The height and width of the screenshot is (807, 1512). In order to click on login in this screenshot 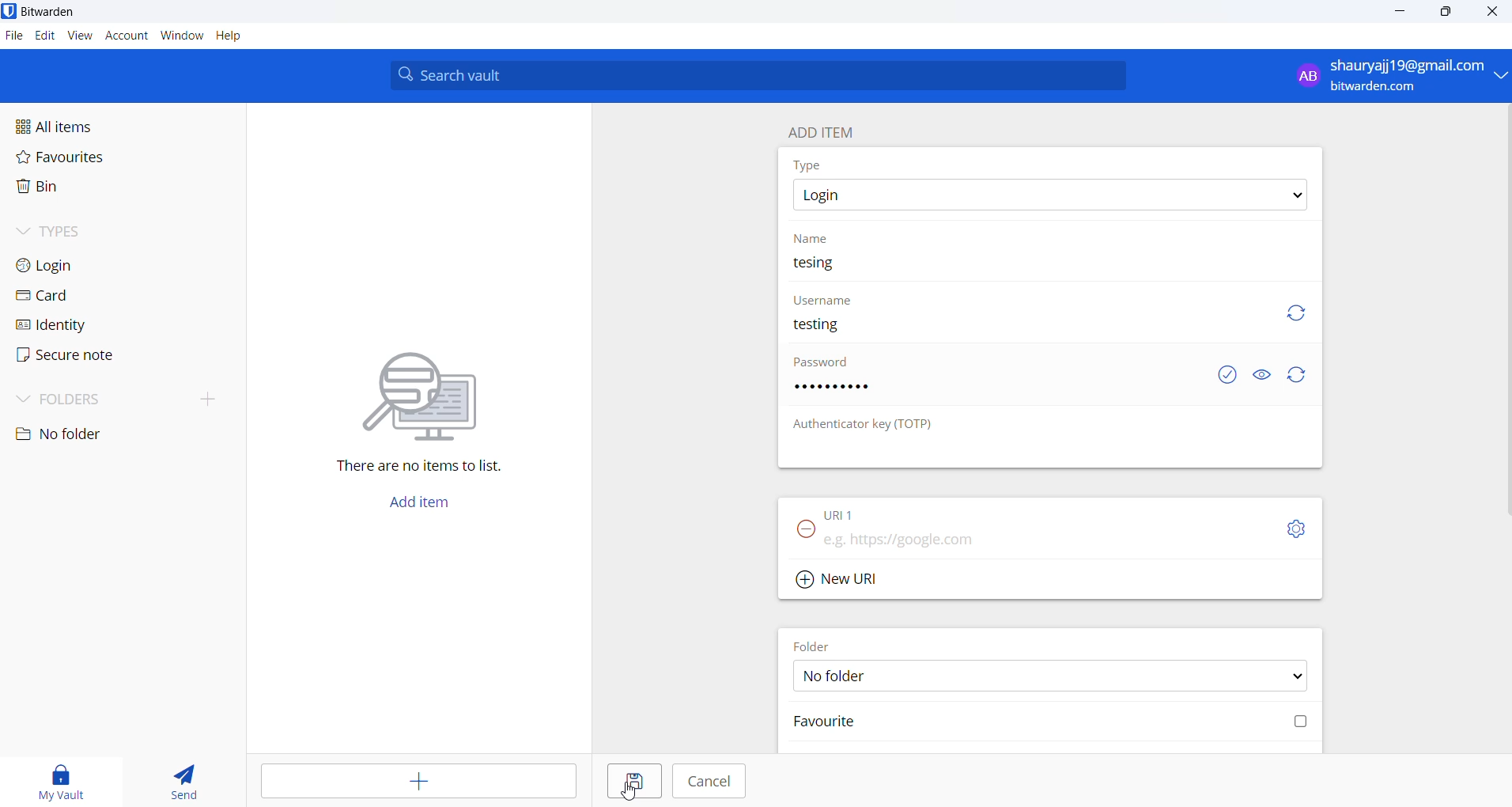, I will do `click(93, 268)`.